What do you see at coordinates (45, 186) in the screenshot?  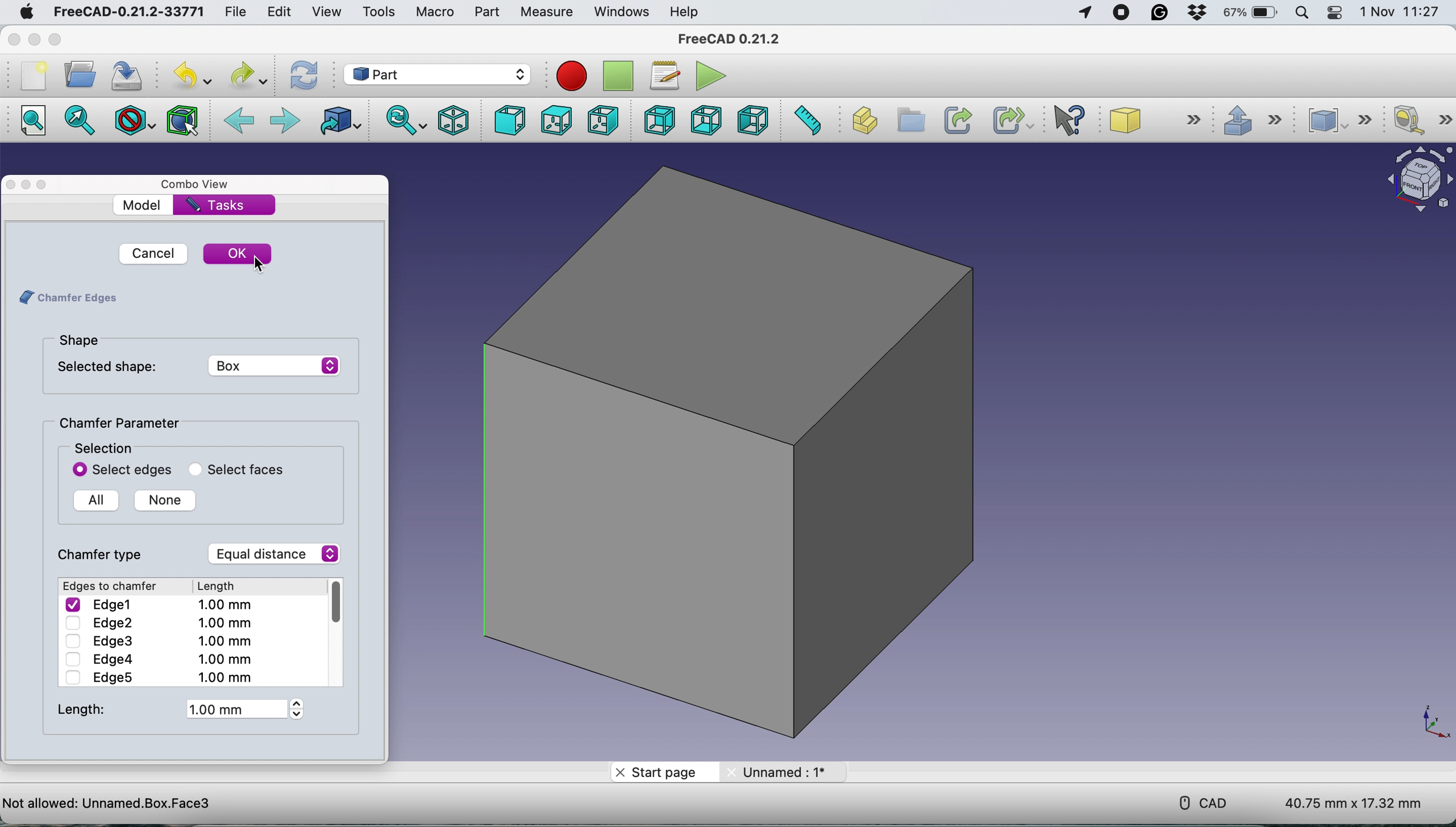 I see `maximise` at bounding box center [45, 186].